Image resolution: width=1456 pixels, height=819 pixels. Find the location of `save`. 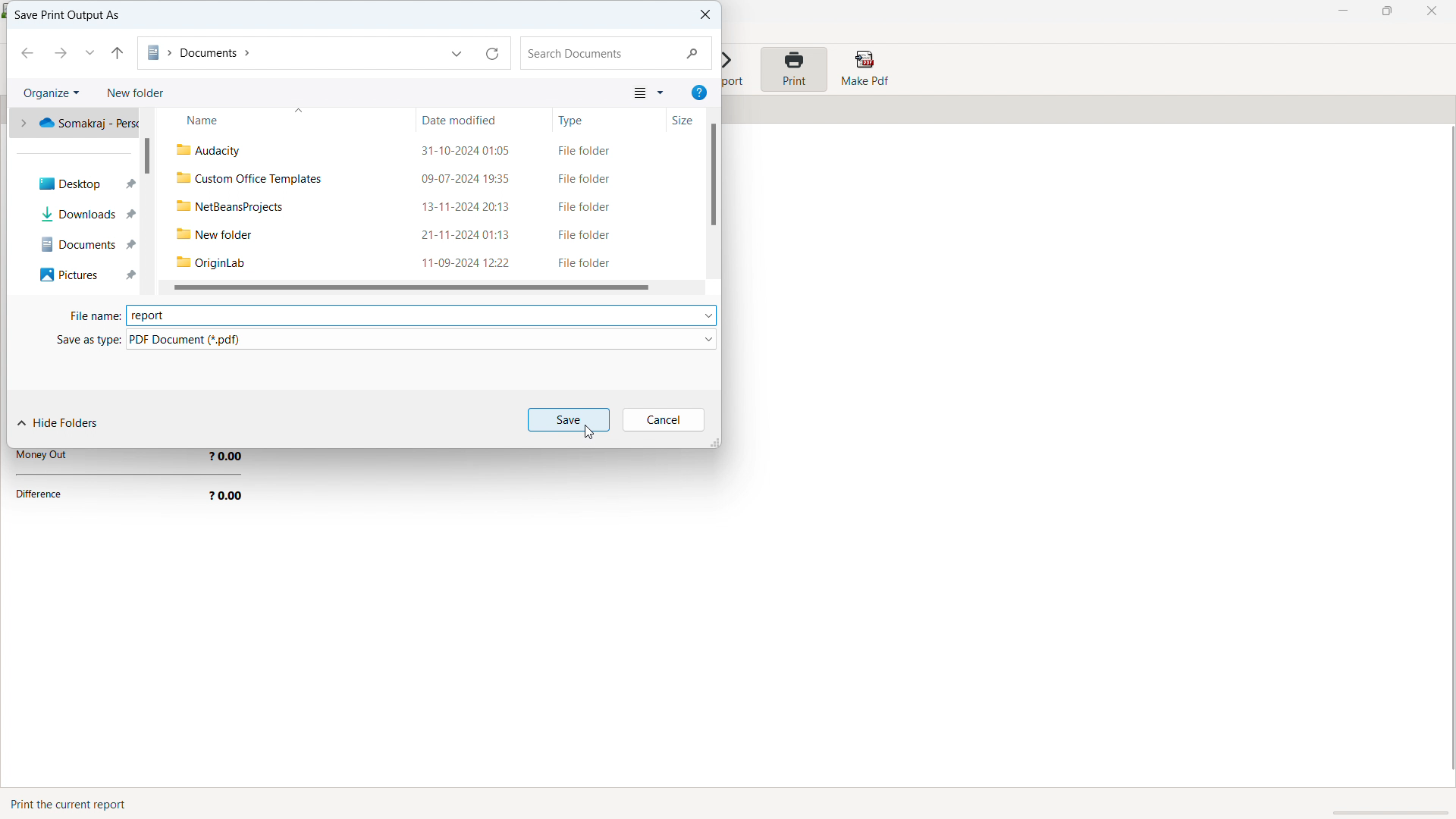

save is located at coordinates (568, 419).